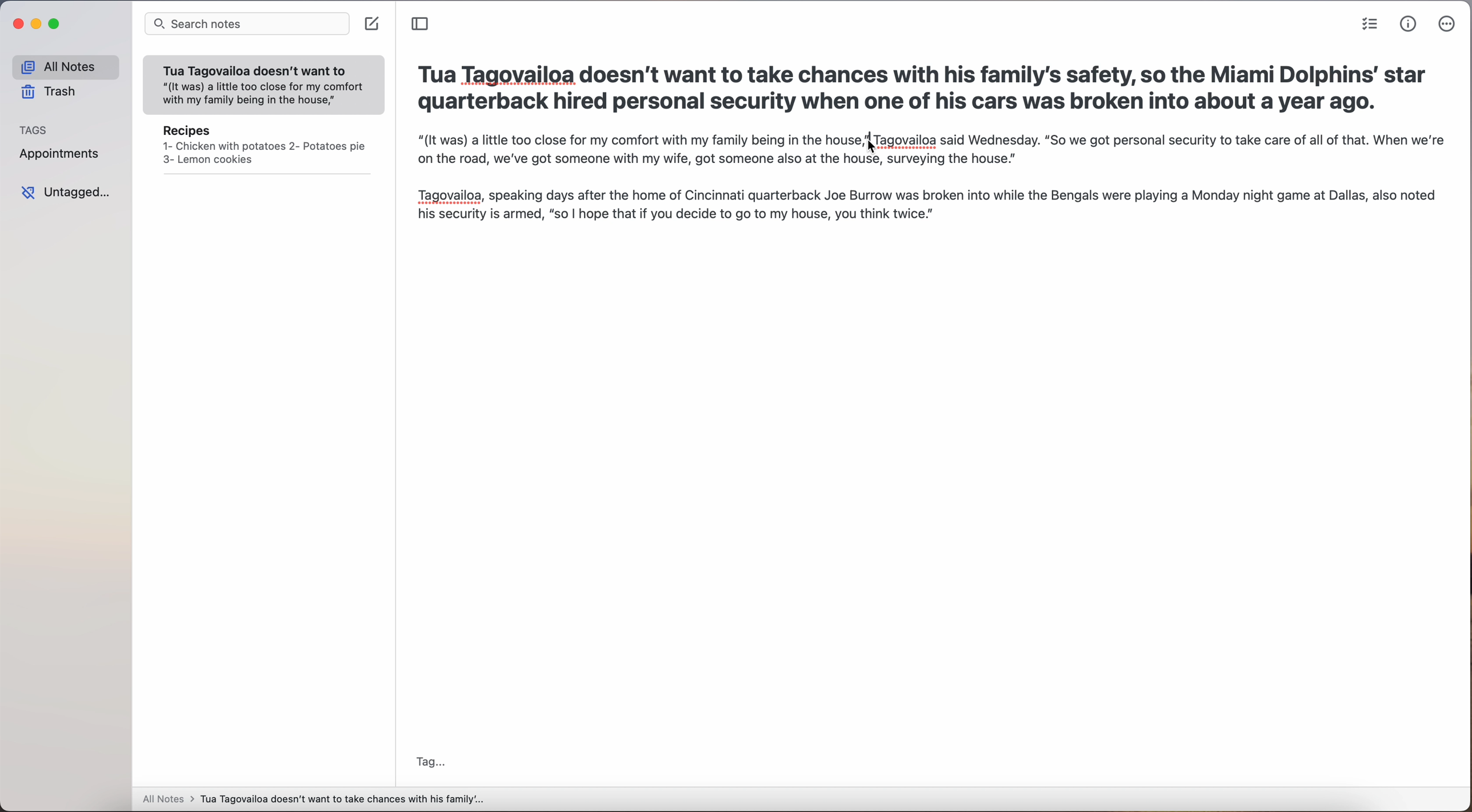  Describe the element at coordinates (65, 66) in the screenshot. I see `all notes` at that location.